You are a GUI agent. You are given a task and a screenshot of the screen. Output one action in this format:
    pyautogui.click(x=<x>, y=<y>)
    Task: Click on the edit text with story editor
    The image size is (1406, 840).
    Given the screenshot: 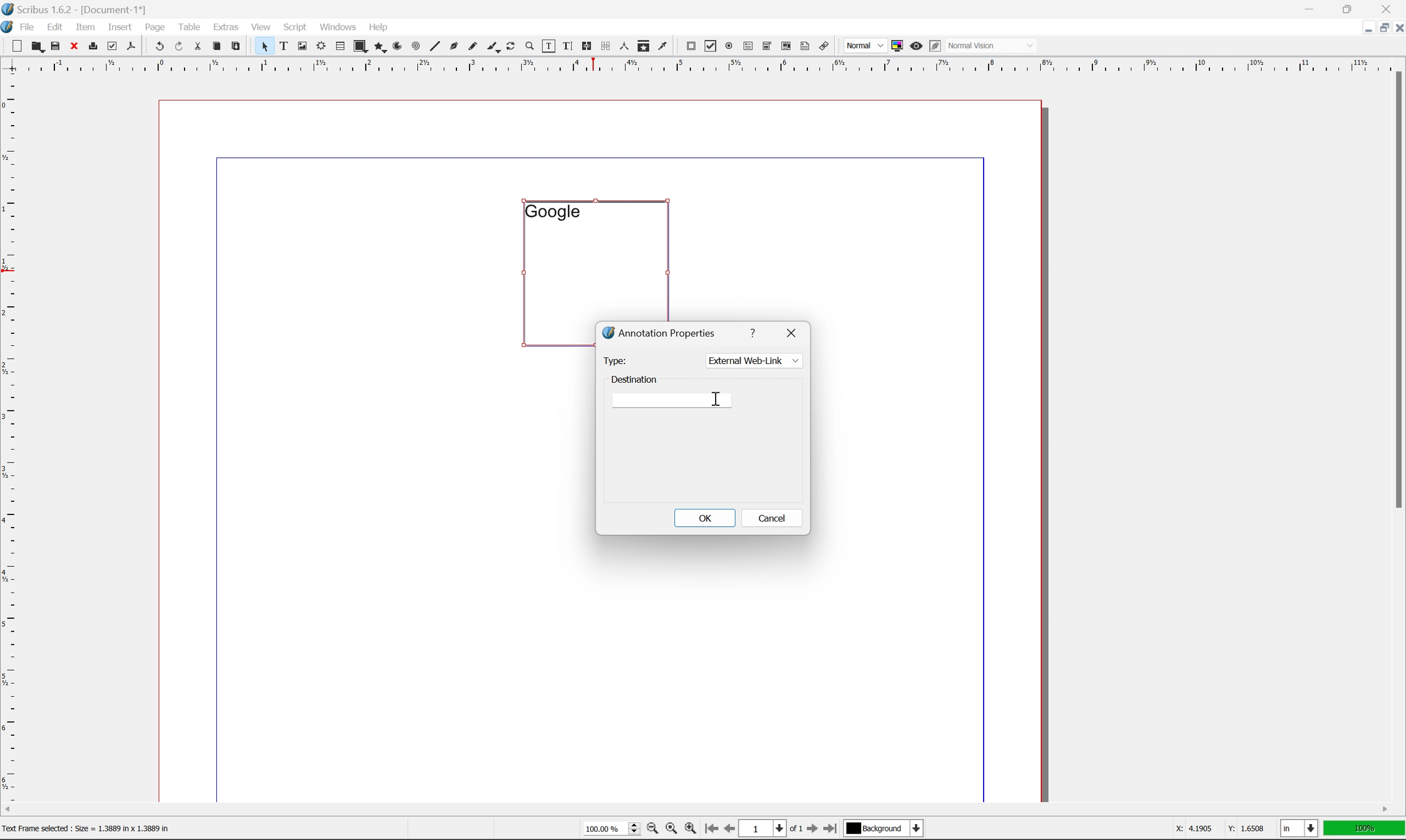 What is the action you would take?
    pyautogui.click(x=565, y=45)
    